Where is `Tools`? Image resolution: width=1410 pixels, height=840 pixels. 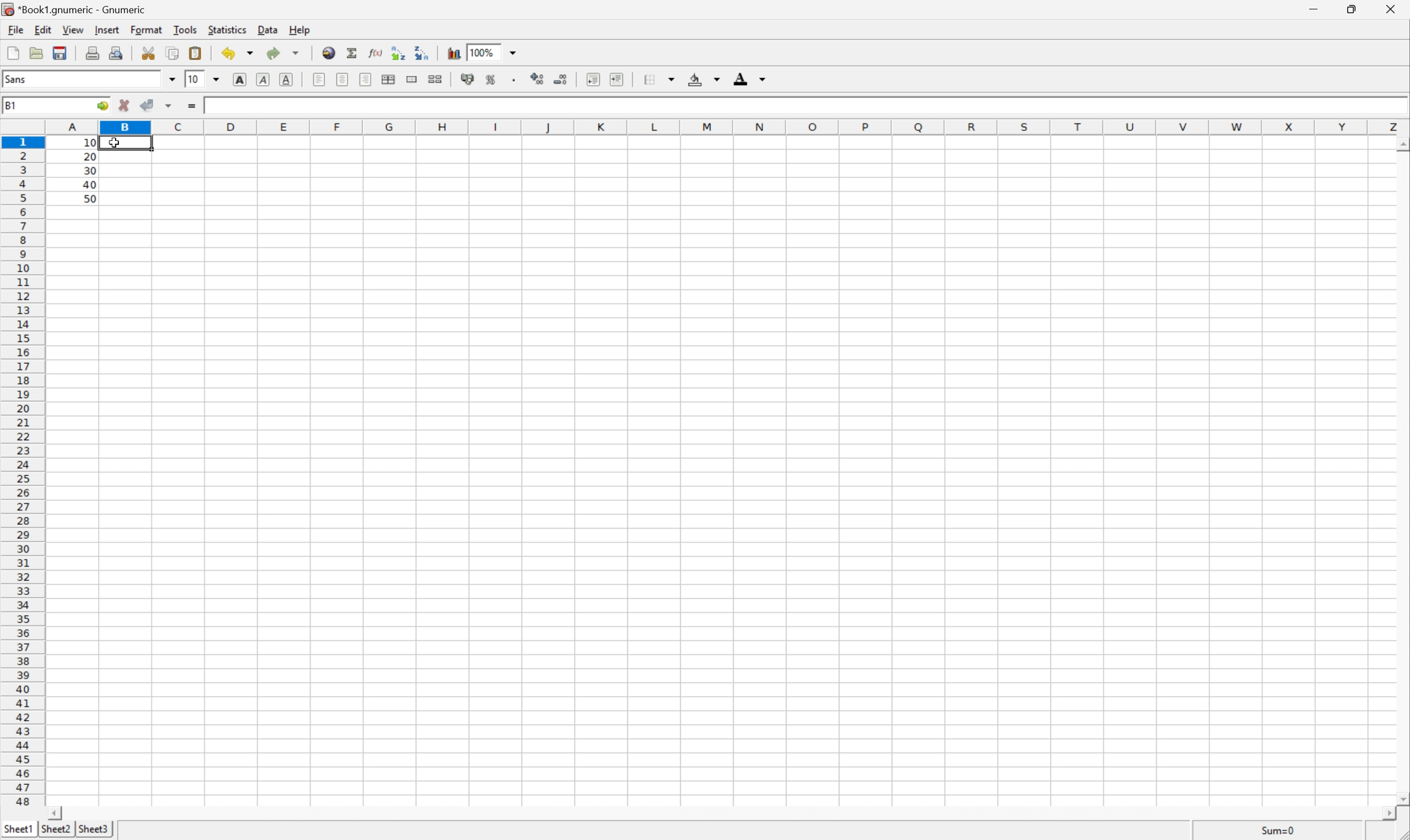
Tools is located at coordinates (184, 29).